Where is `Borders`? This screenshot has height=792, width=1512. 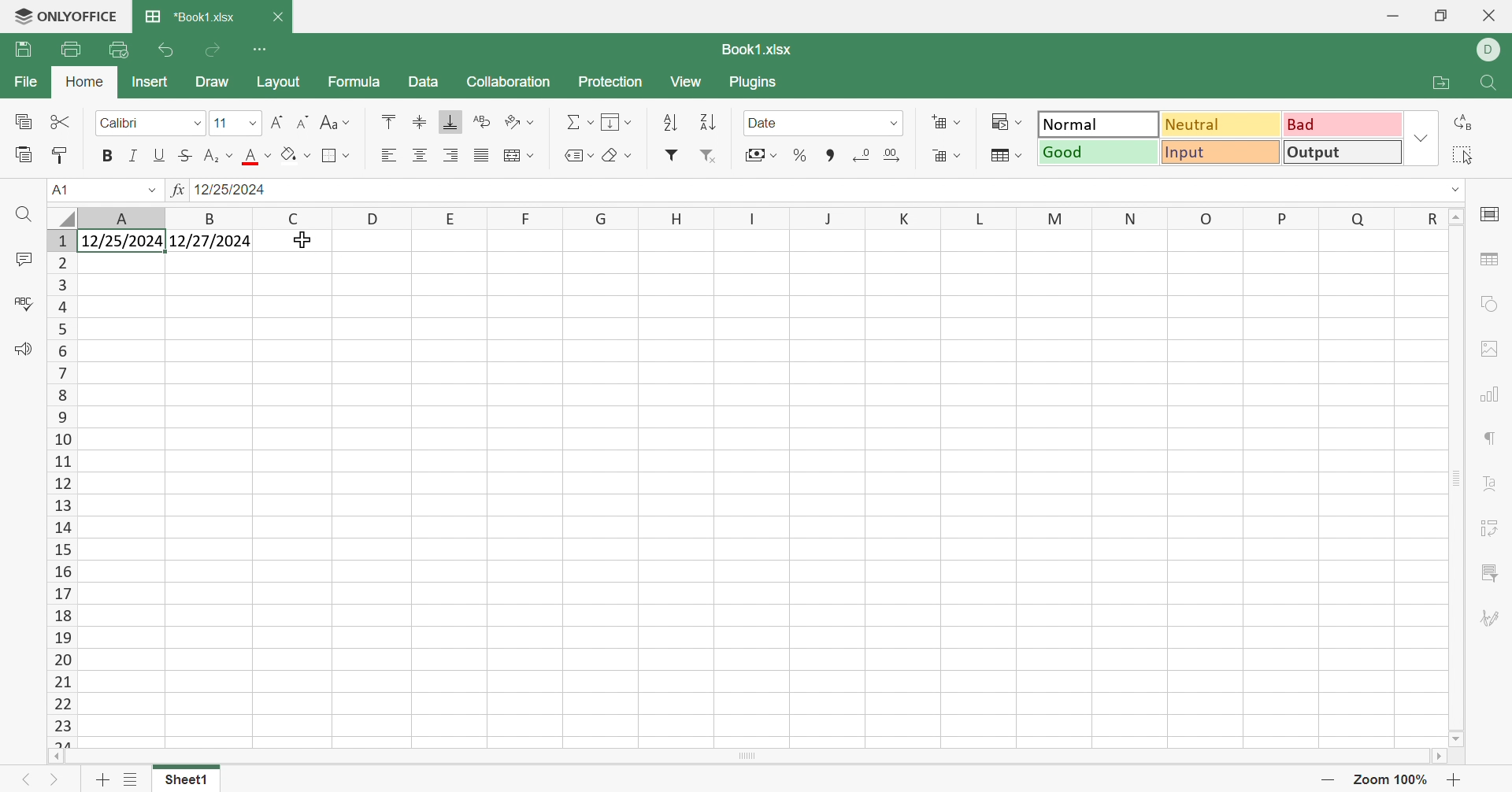 Borders is located at coordinates (335, 157).